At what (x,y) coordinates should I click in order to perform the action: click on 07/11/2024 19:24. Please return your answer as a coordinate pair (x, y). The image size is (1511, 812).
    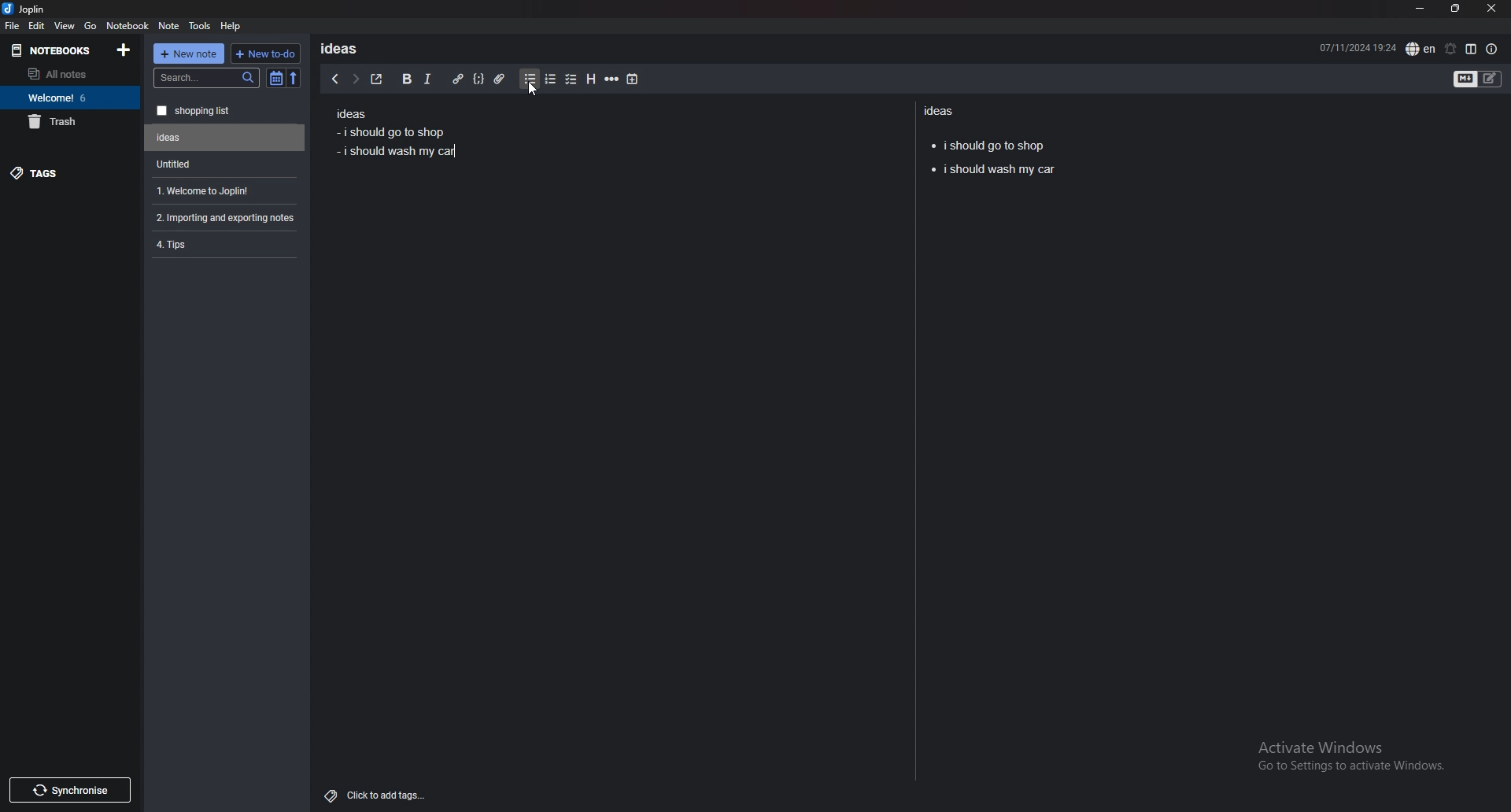
    Looking at the image, I should click on (1358, 46).